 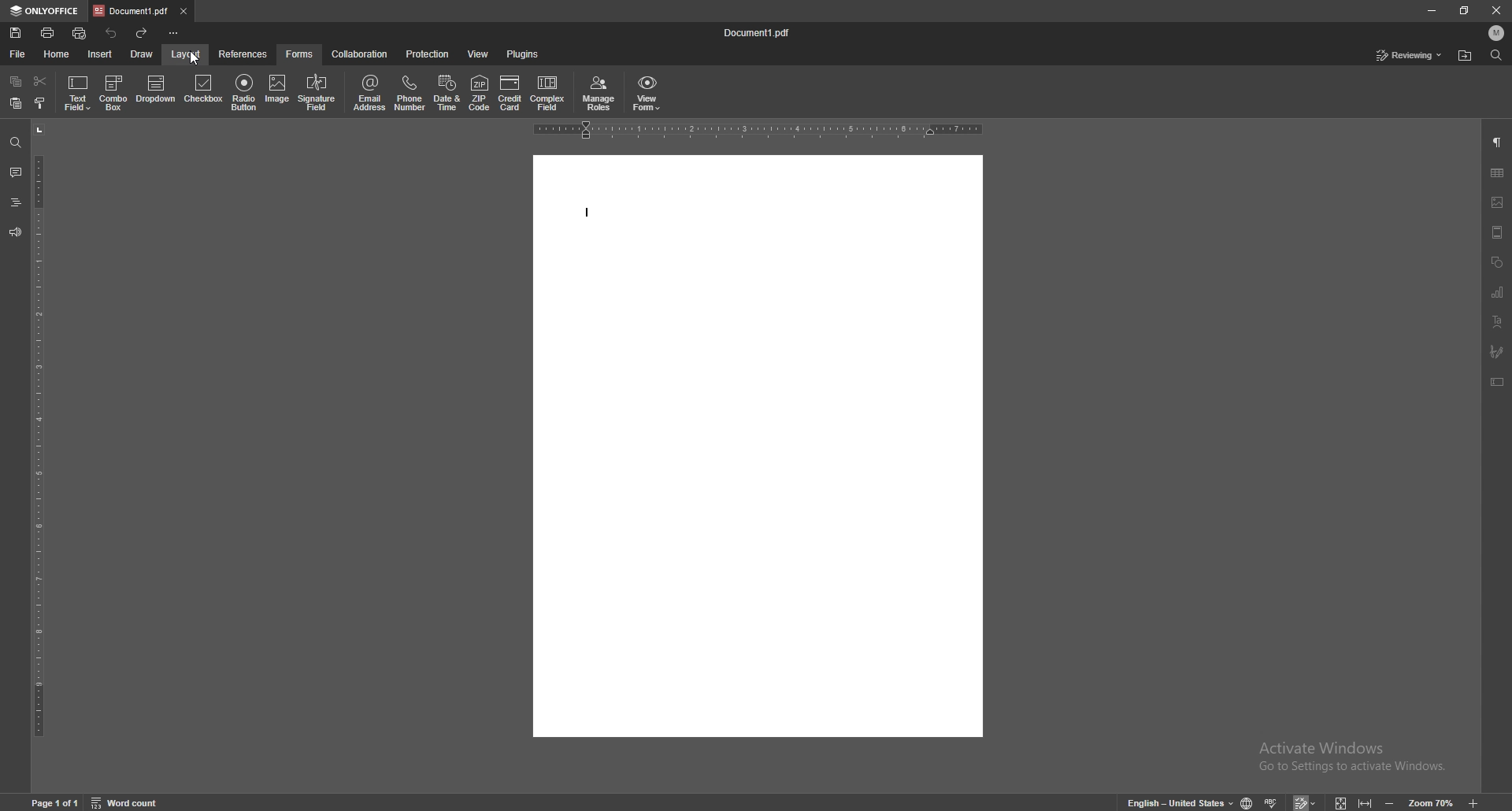 I want to click on headings, so click(x=17, y=202).